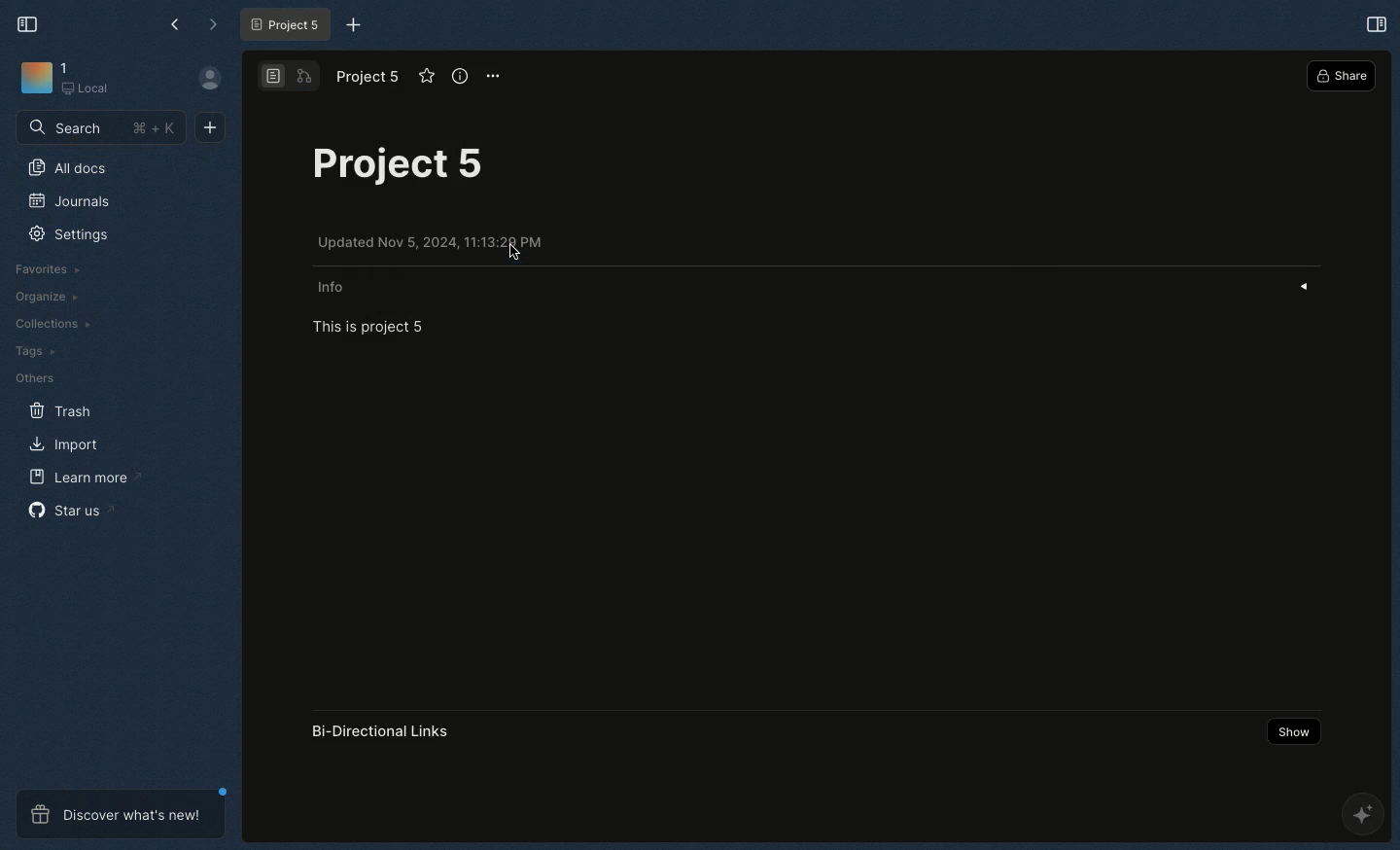 This screenshot has width=1400, height=850. What do you see at coordinates (210, 127) in the screenshot?
I see `New document` at bounding box center [210, 127].